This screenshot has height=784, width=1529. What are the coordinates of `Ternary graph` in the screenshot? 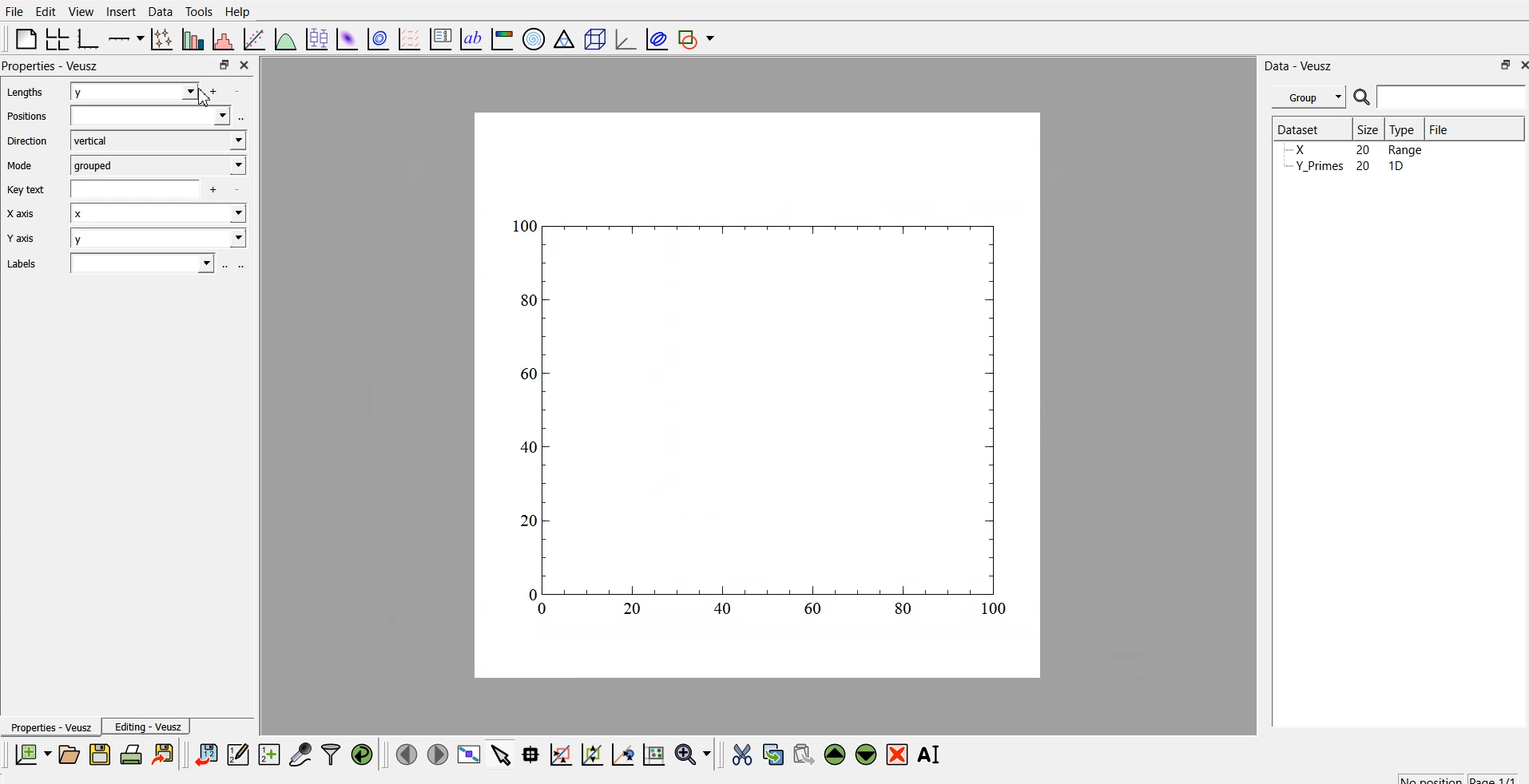 It's located at (565, 38).